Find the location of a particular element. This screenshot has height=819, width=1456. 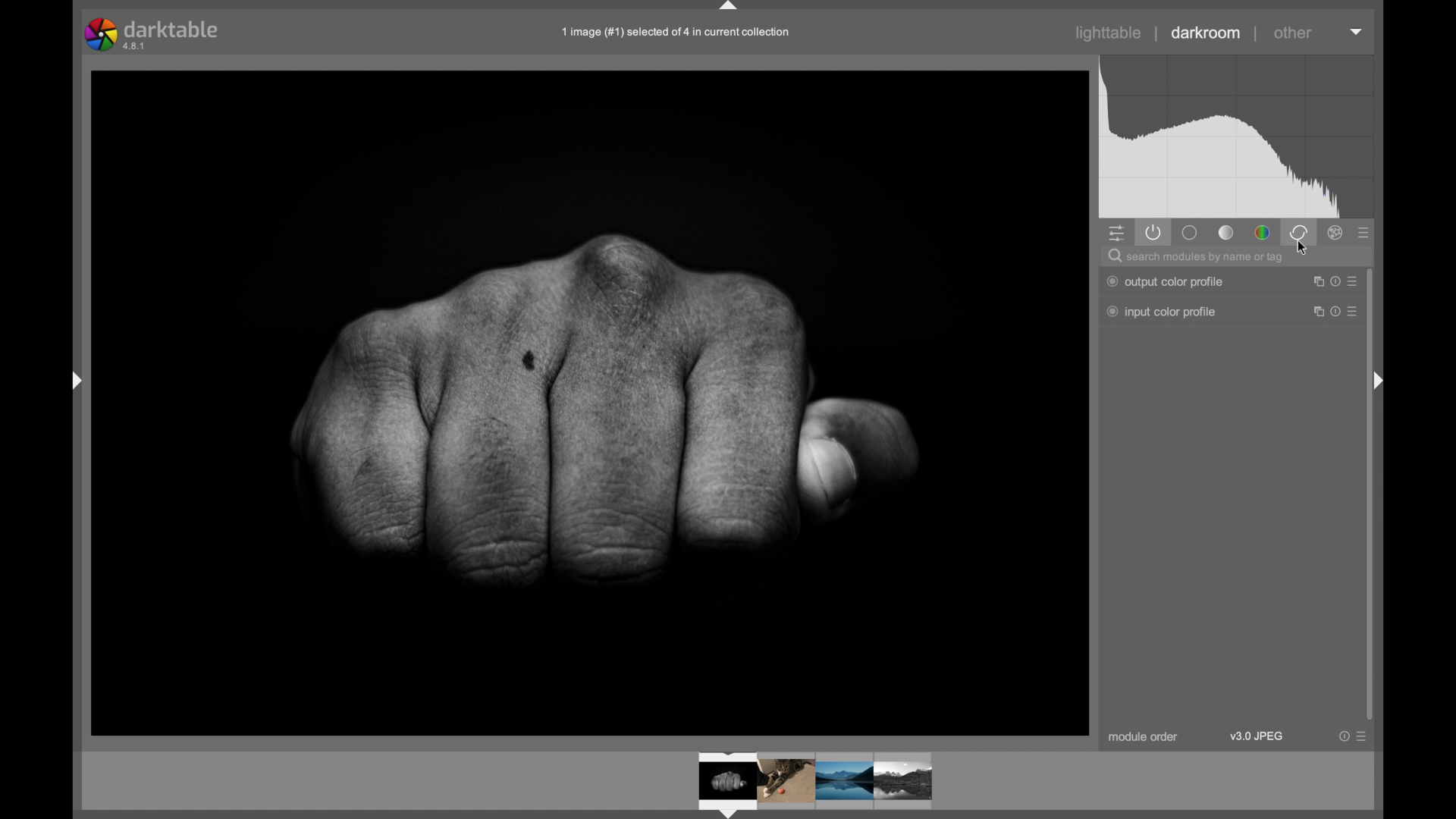

moreoptions is located at coordinates (1352, 283).